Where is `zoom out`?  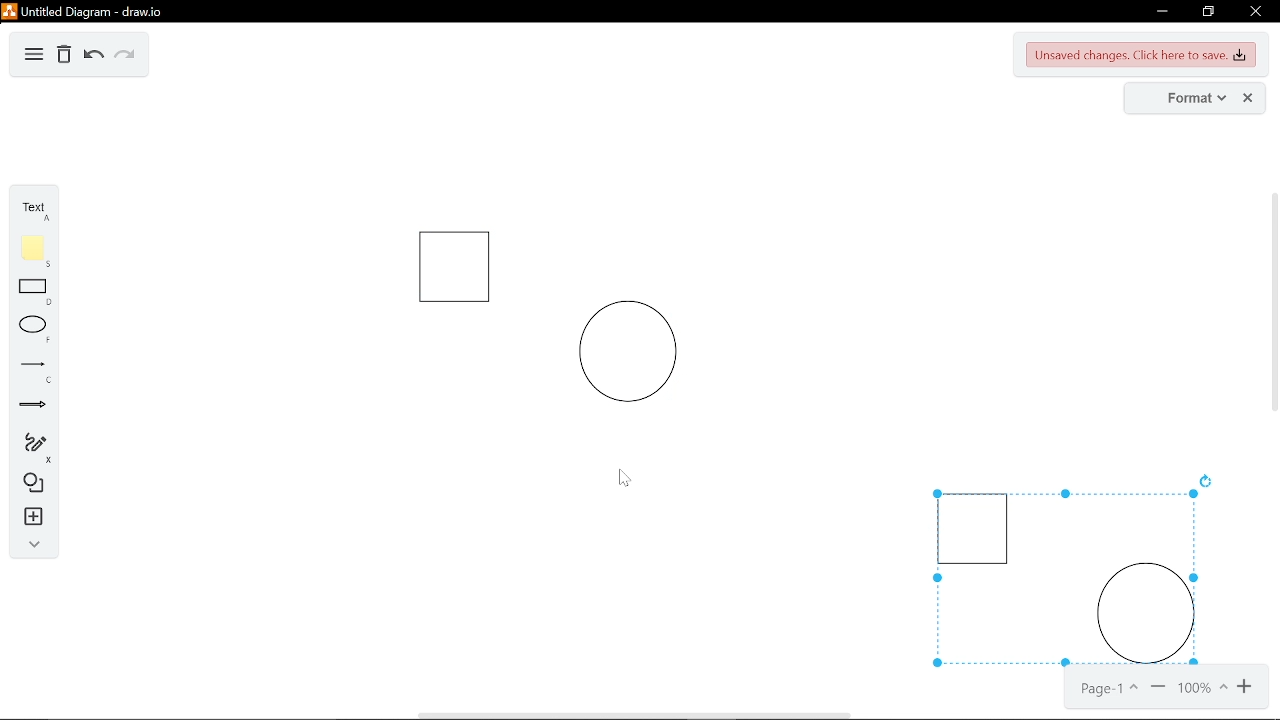
zoom out is located at coordinates (1158, 689).